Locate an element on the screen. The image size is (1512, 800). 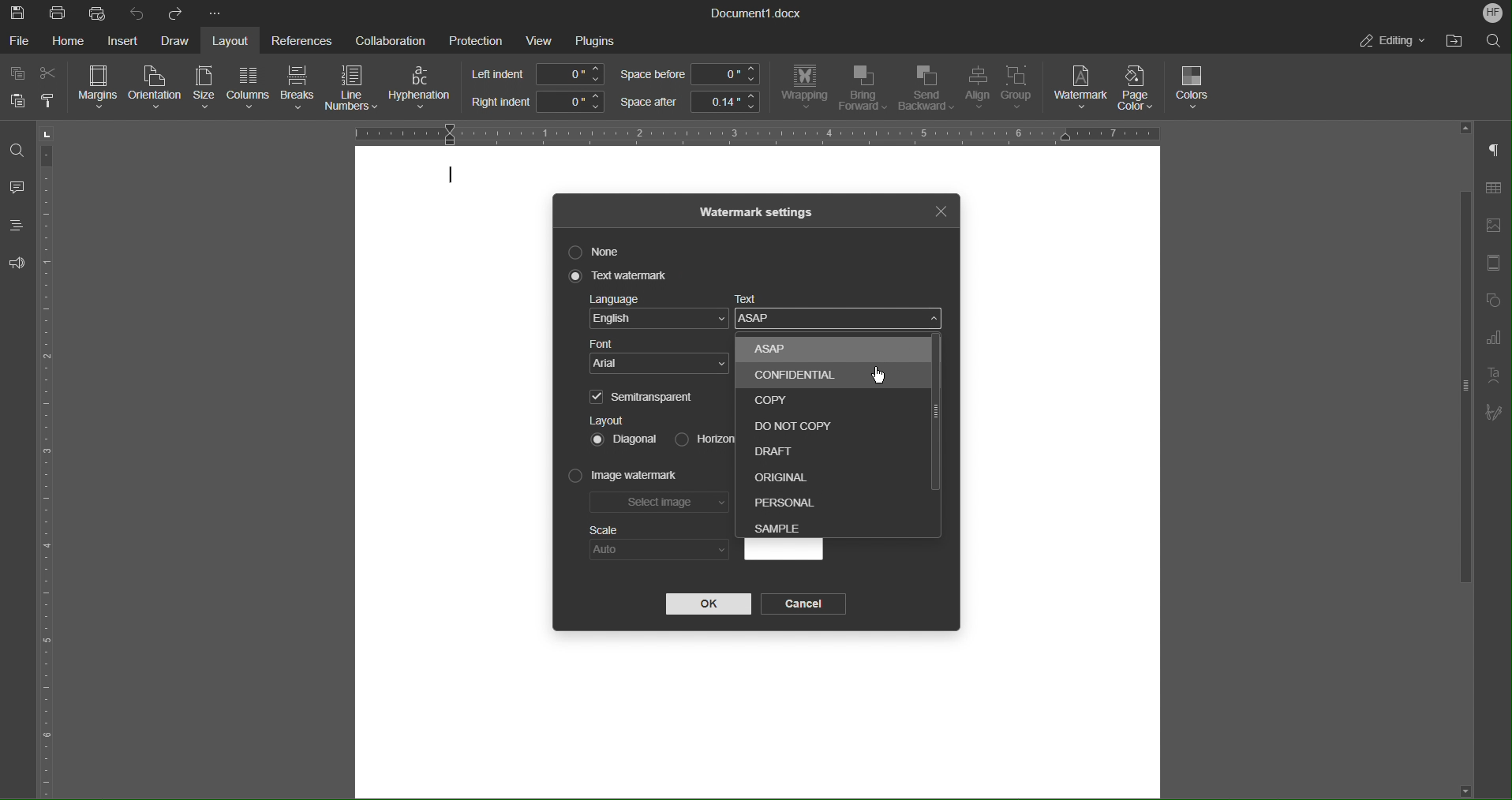
Find is located at coordinates (16, 150).